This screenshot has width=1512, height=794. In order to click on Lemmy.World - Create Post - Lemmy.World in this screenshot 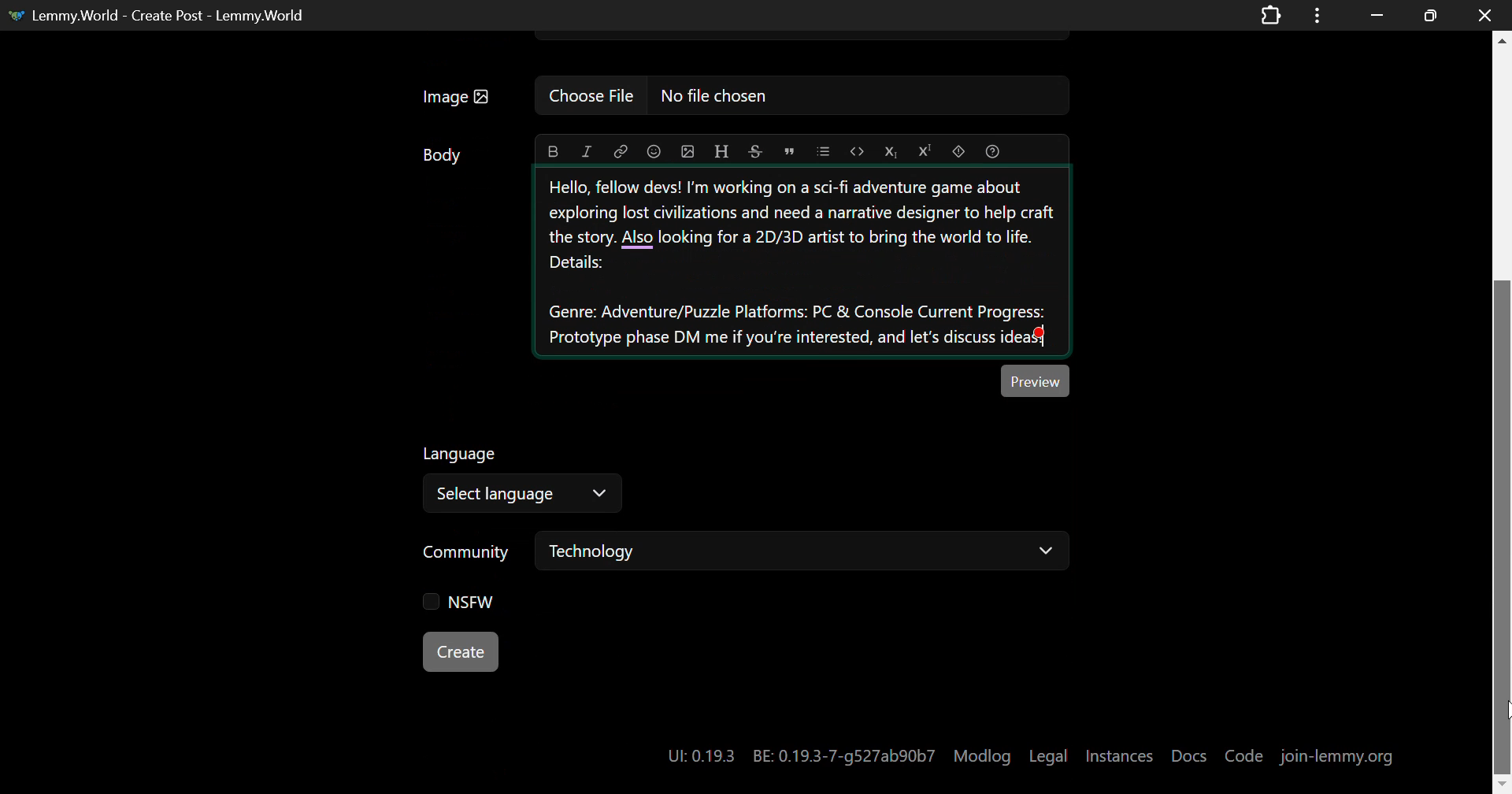, I will do `click(169, 14)`.